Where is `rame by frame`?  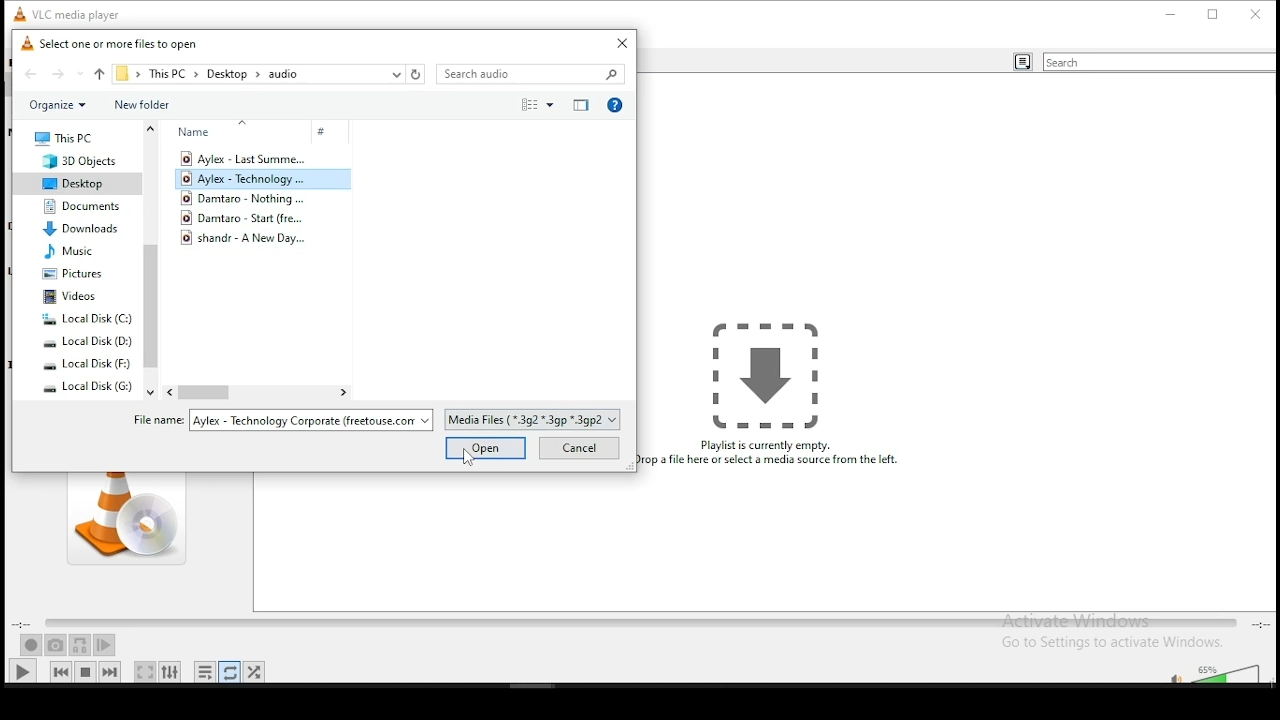 rame by frame is located at coordinates (104, 645).